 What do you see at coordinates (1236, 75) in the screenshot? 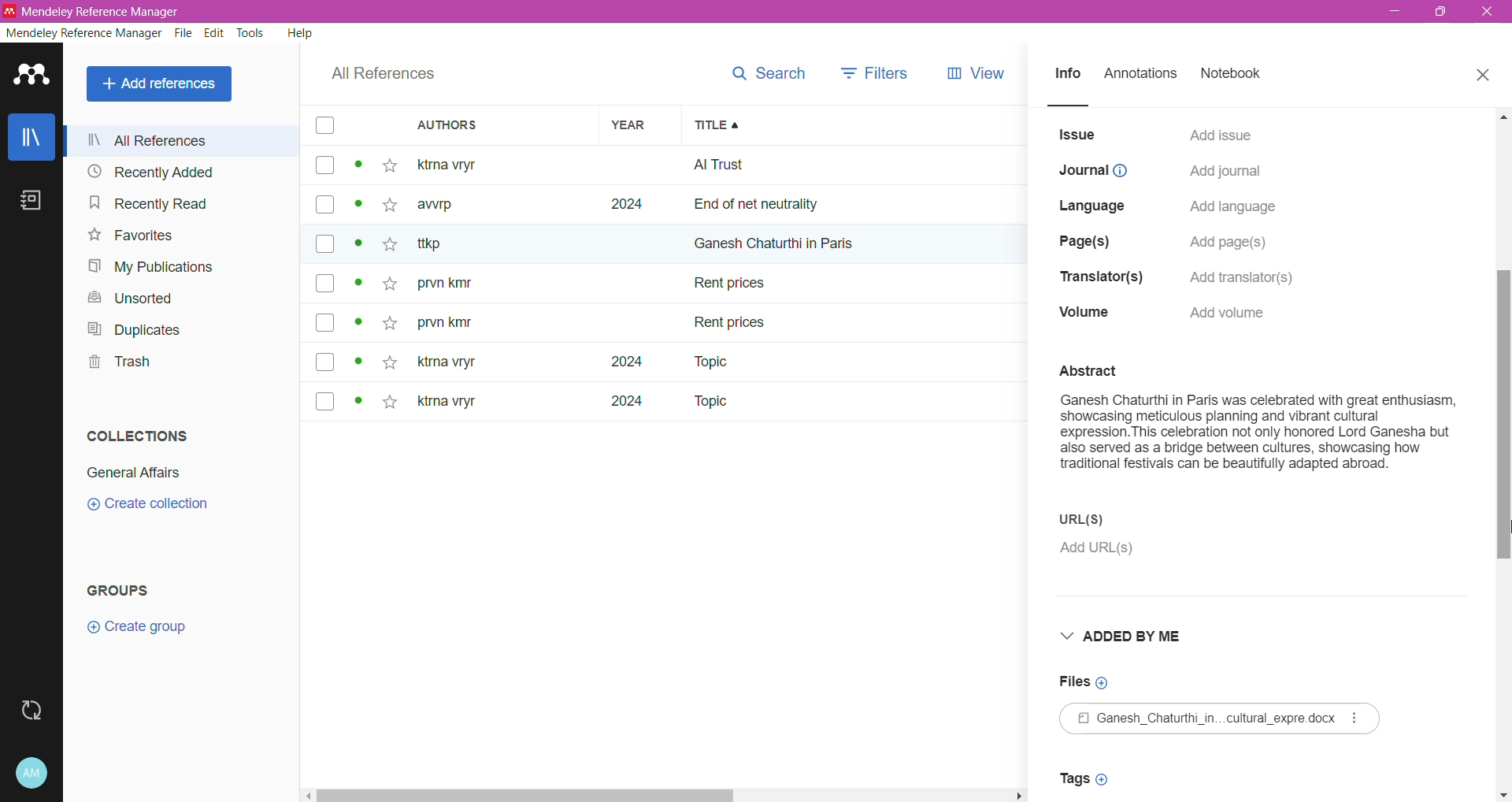
I see `Notebook` at bounding box center [1236, 75].